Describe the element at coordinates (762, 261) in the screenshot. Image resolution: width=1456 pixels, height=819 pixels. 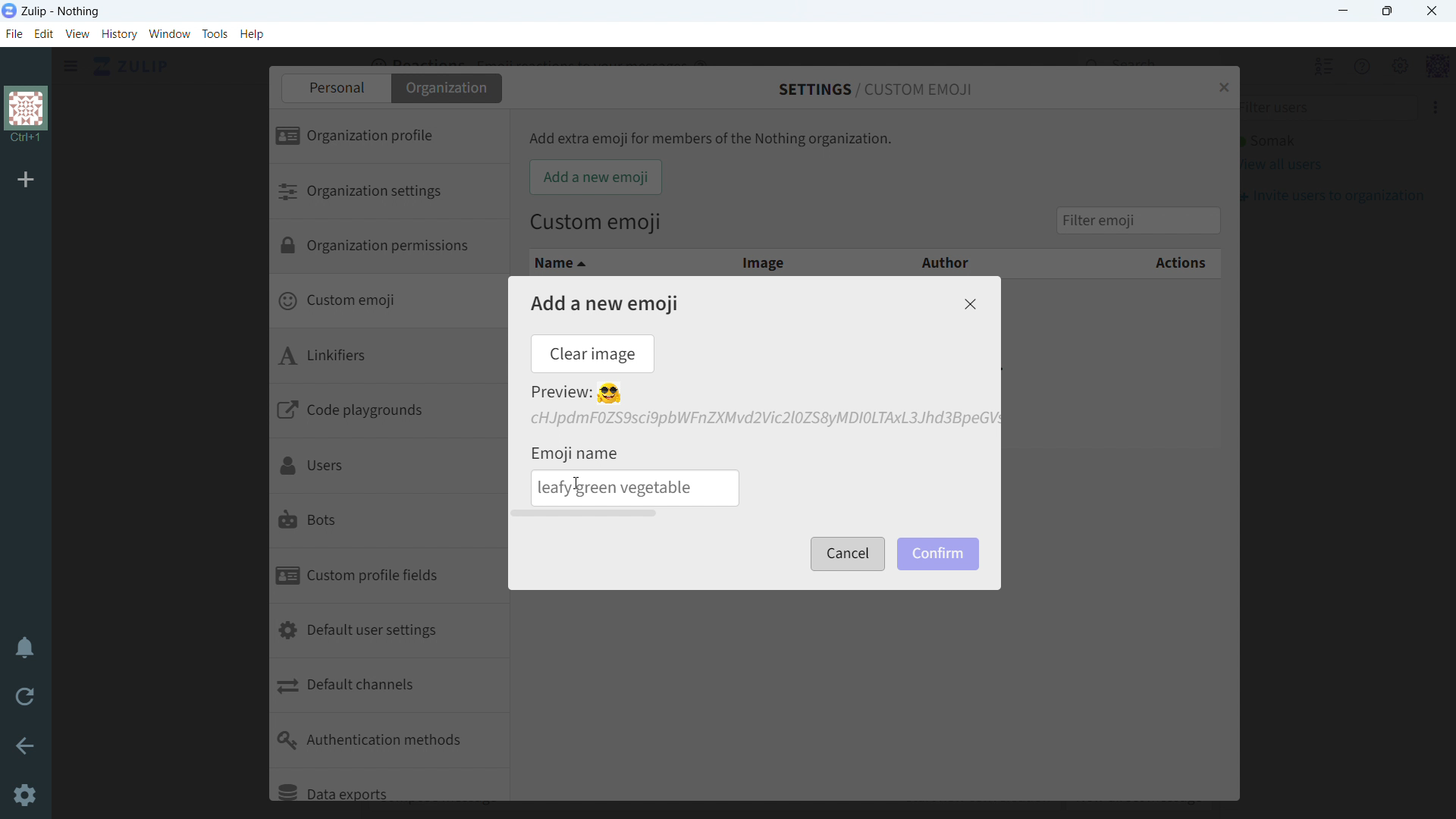
I see `image` at that location.